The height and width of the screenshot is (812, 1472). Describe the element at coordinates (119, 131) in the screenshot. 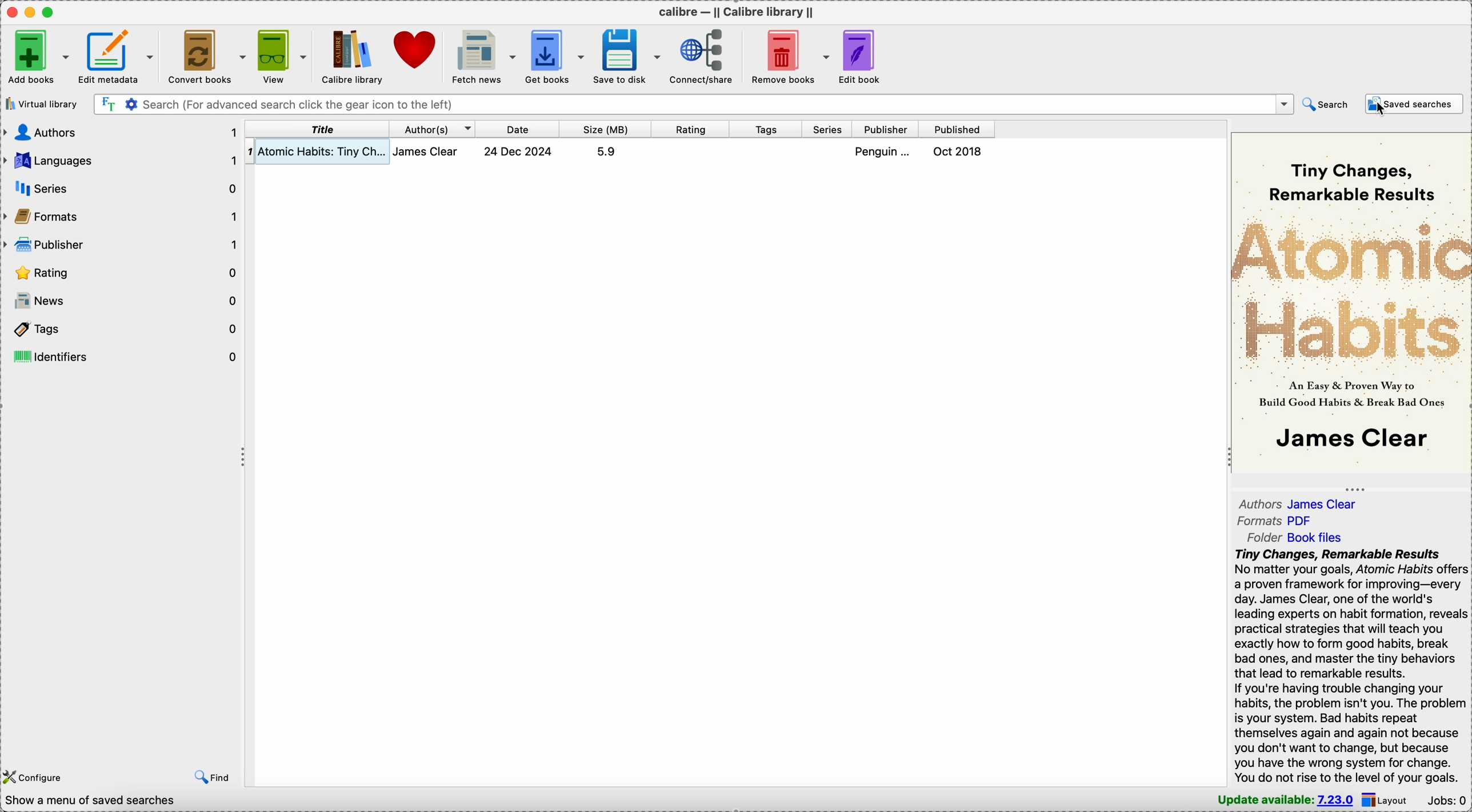

I see `authors` at that location.